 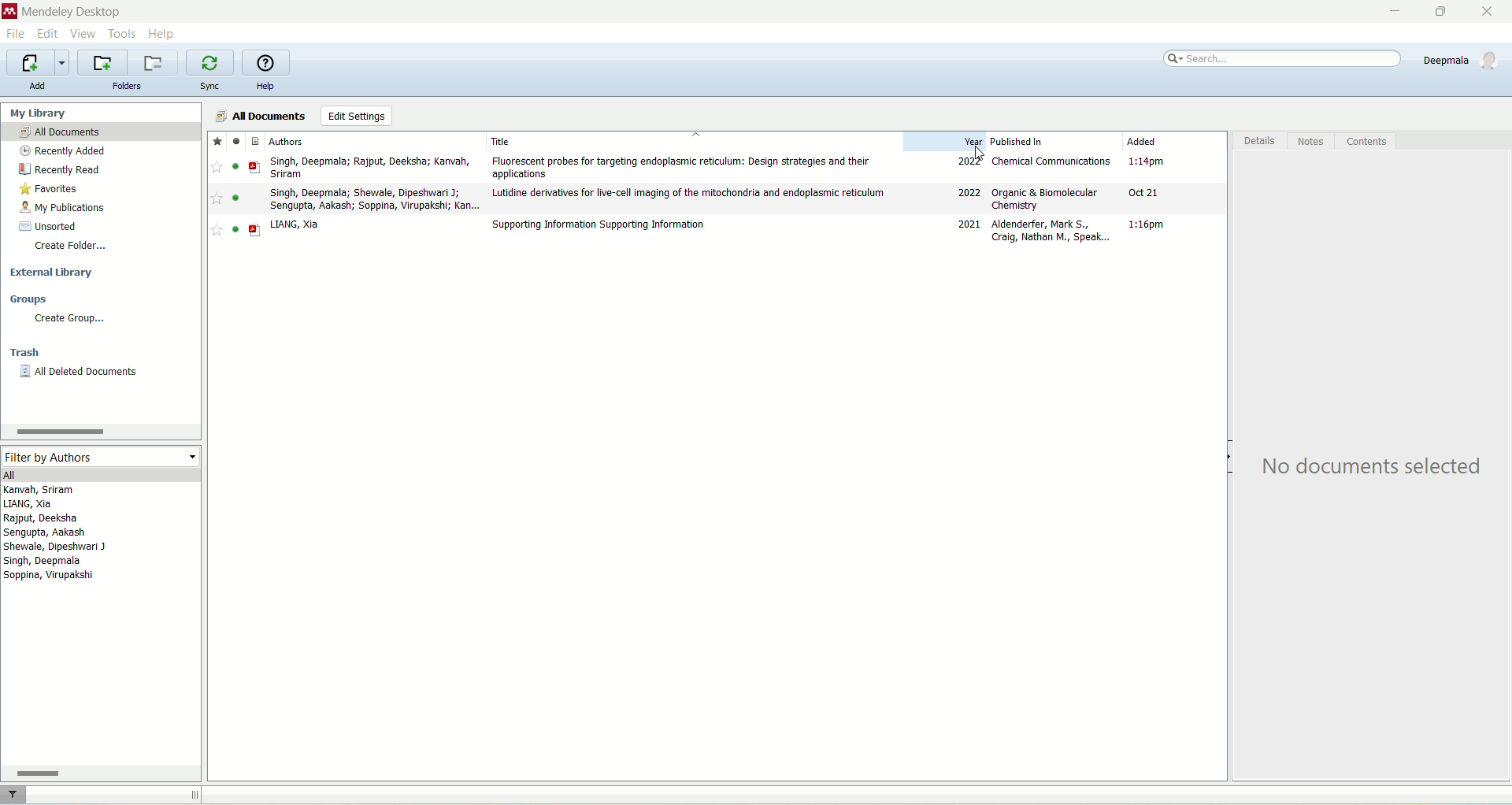 What do you see at coordinates (51, 273) in the screenshot?
I see `external library` at bounding box center [51, 273].